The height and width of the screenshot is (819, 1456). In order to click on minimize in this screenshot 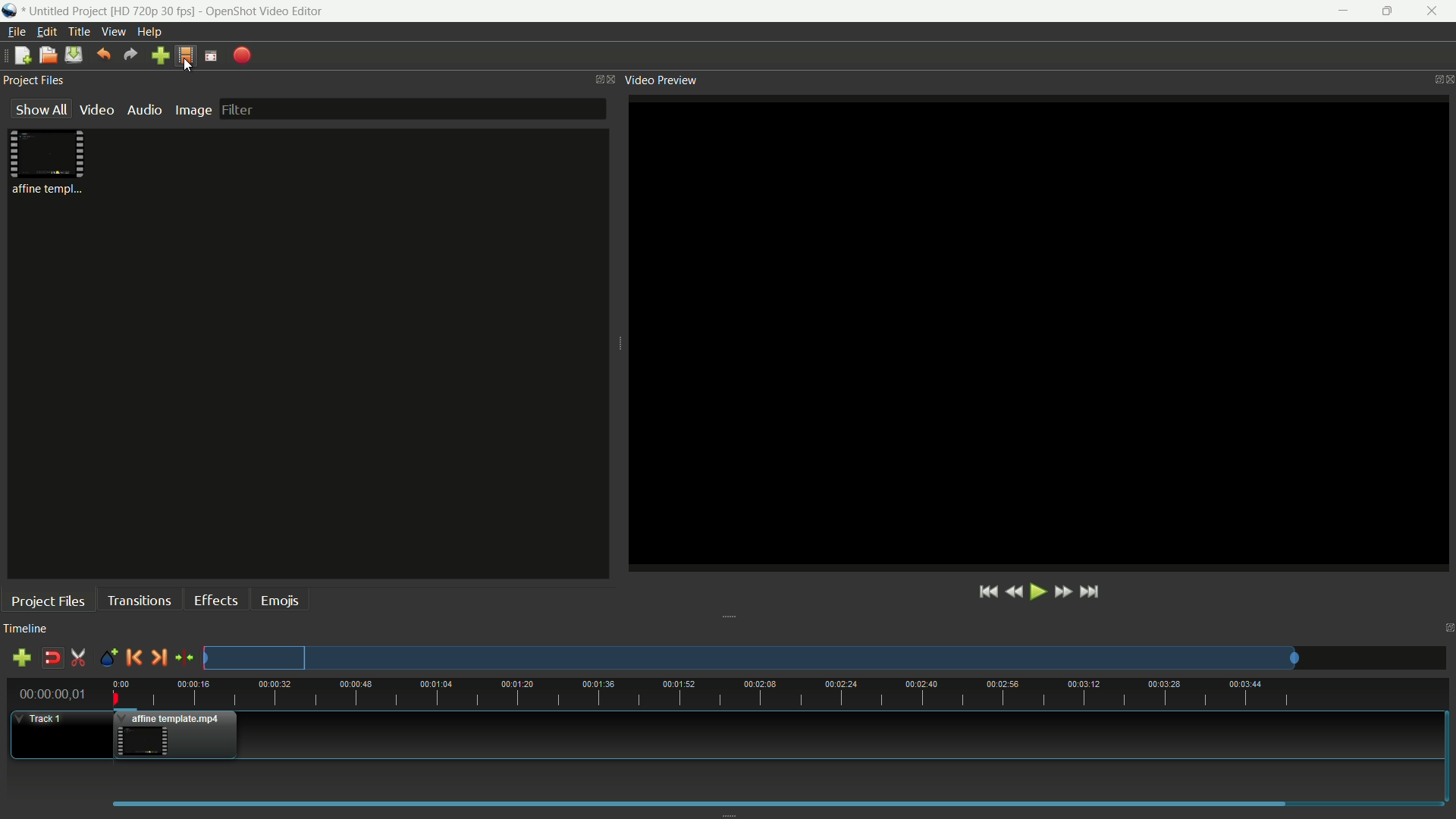, I will do `click(1341, 11)`.